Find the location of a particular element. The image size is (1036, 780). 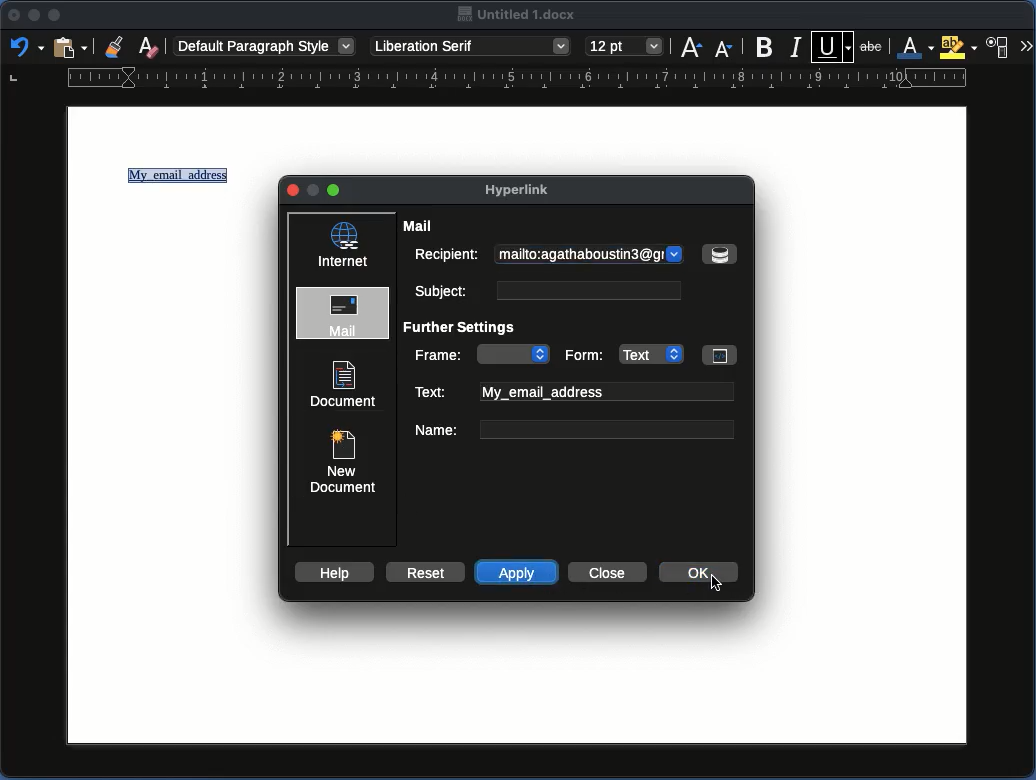

Clear formatting is located at coordinates (150, 45).